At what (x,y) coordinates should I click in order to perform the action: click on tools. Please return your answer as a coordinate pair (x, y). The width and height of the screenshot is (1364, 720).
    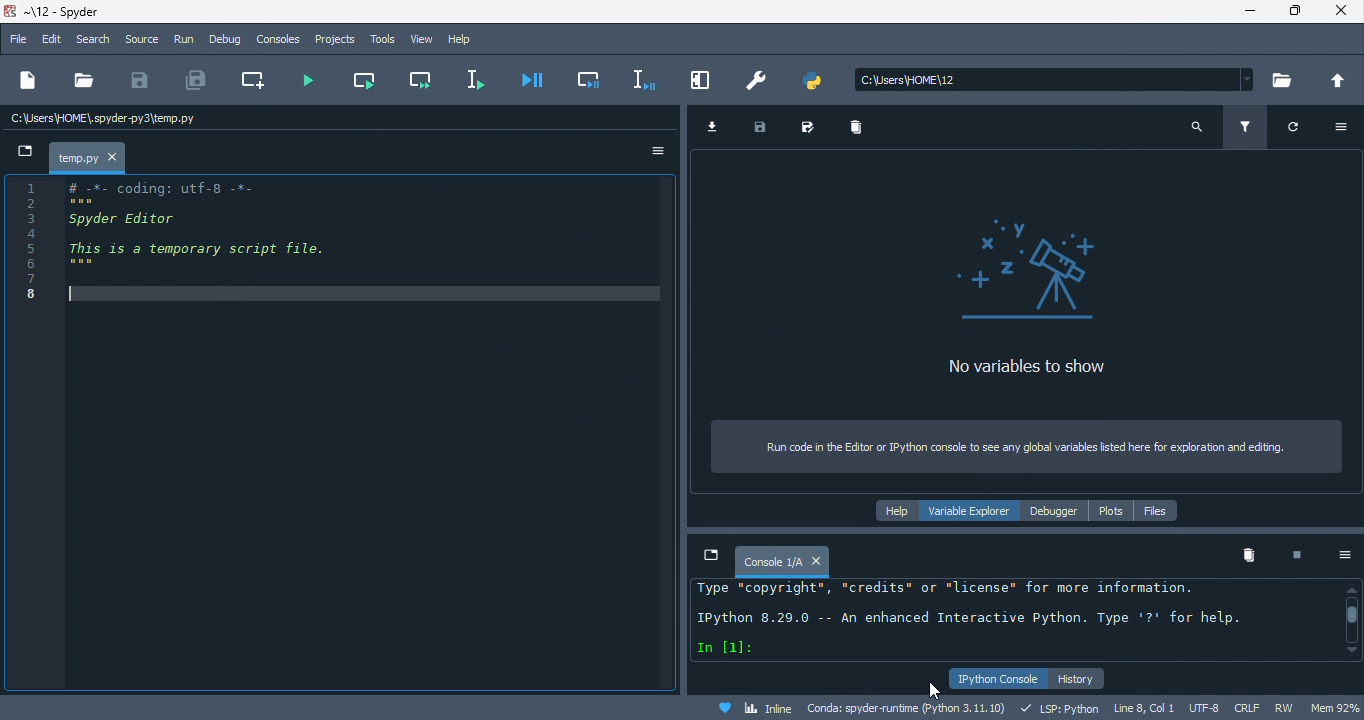
    Looking at the image, I should click on (379, 39).